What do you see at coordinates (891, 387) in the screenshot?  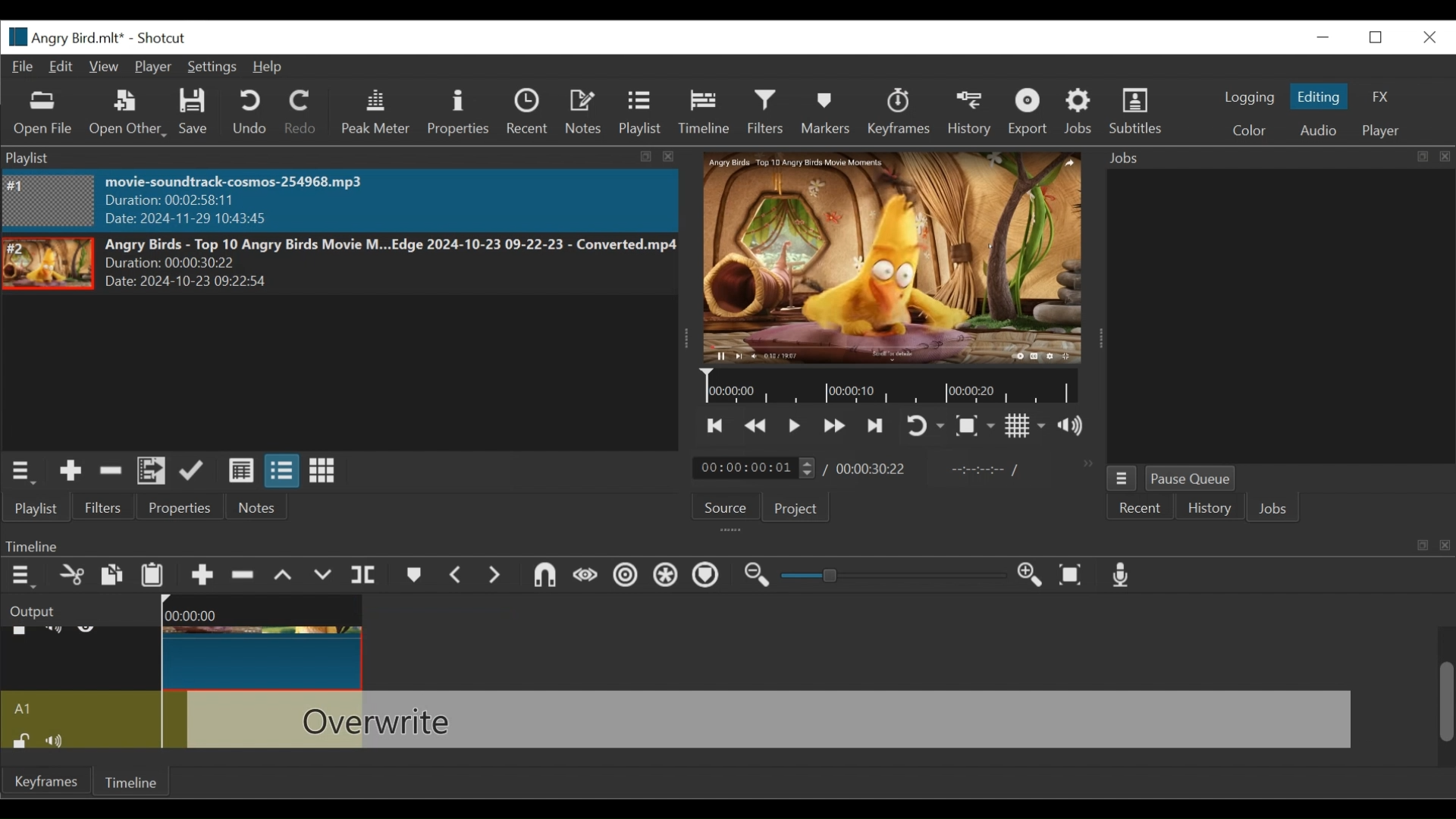 I see `Timeline` at bounding box center [891, 387].